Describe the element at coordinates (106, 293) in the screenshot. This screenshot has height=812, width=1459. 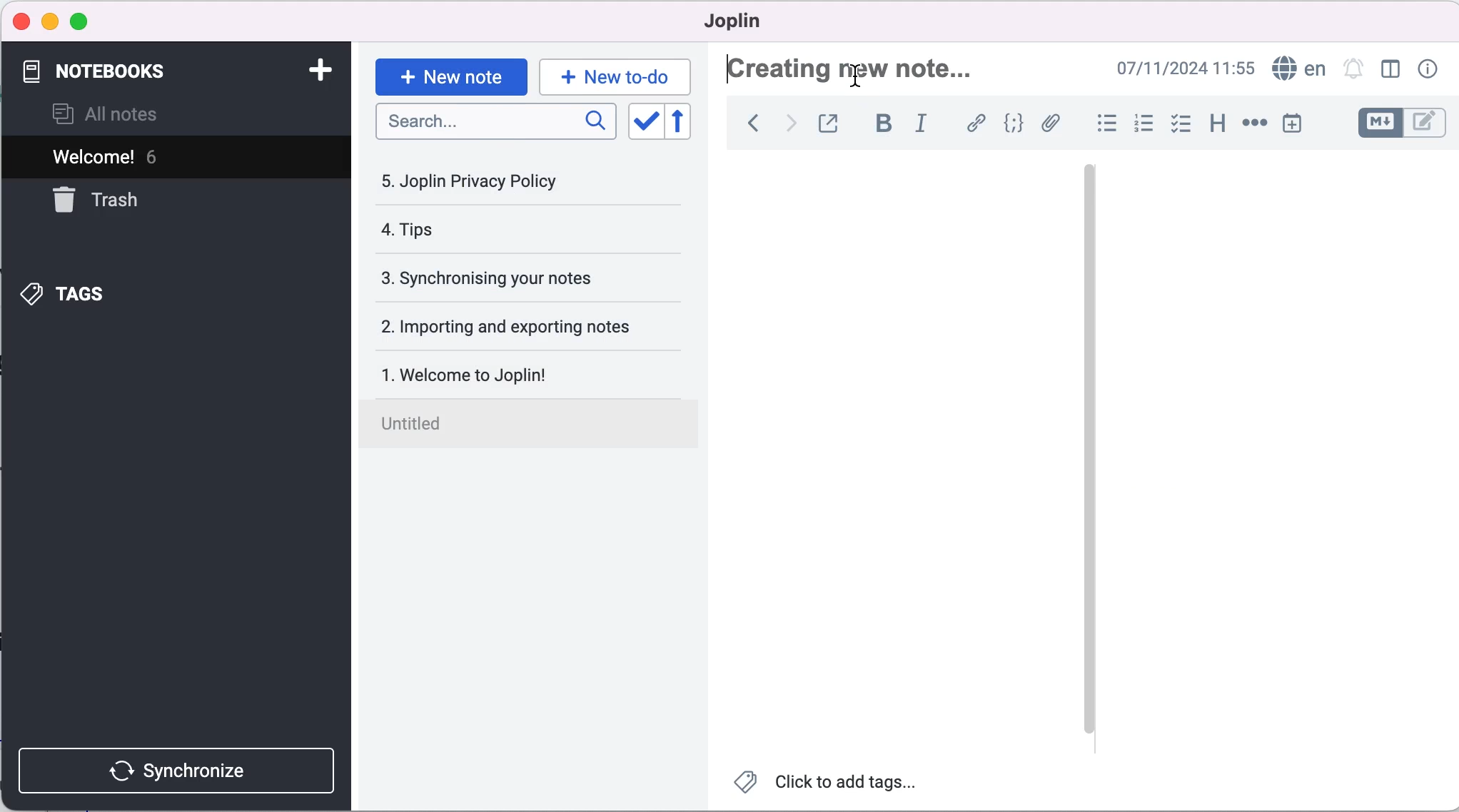
I see `tags` at that location.